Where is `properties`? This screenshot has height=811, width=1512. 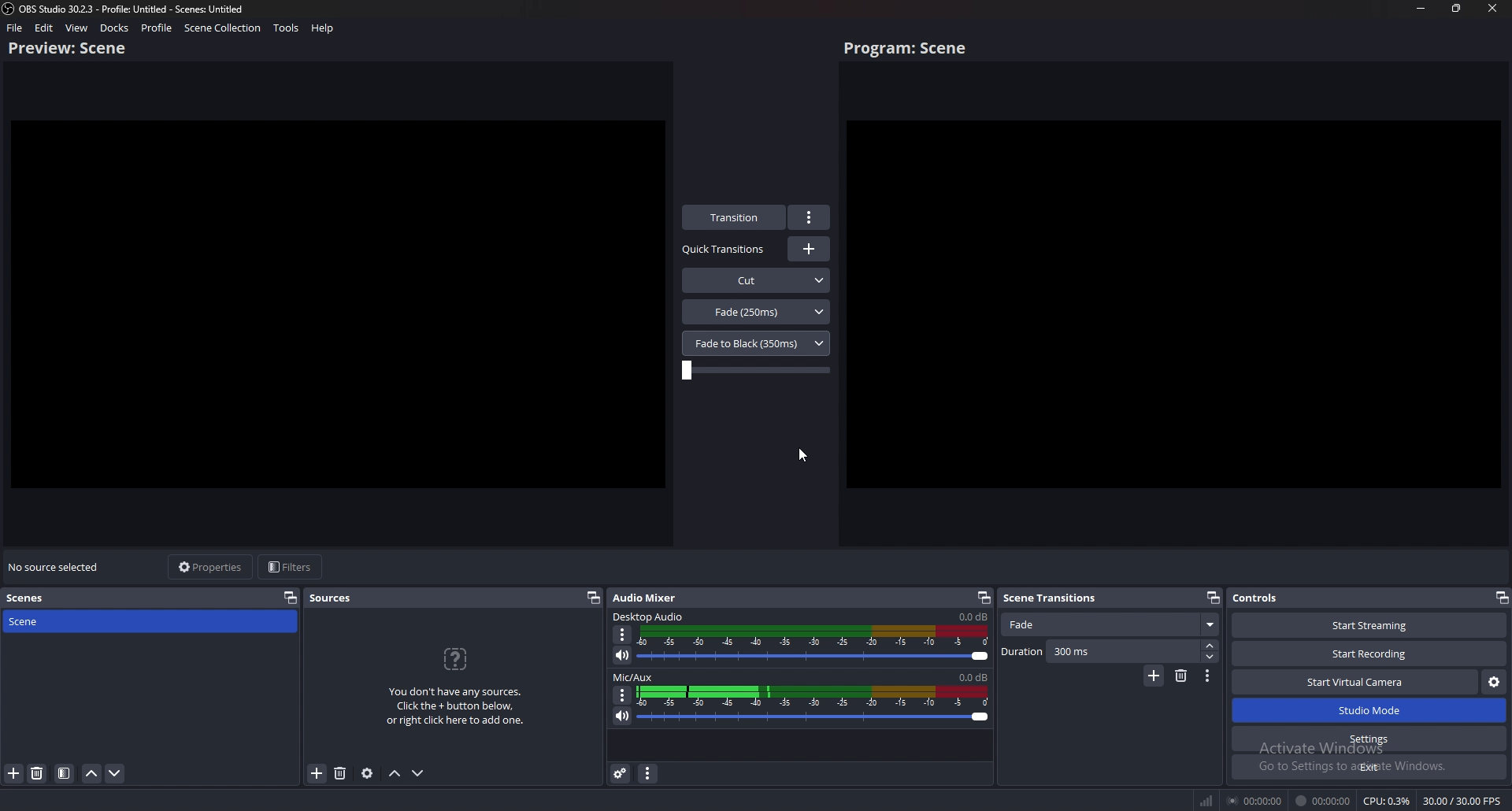 properties is located at coordinates (213, 567).